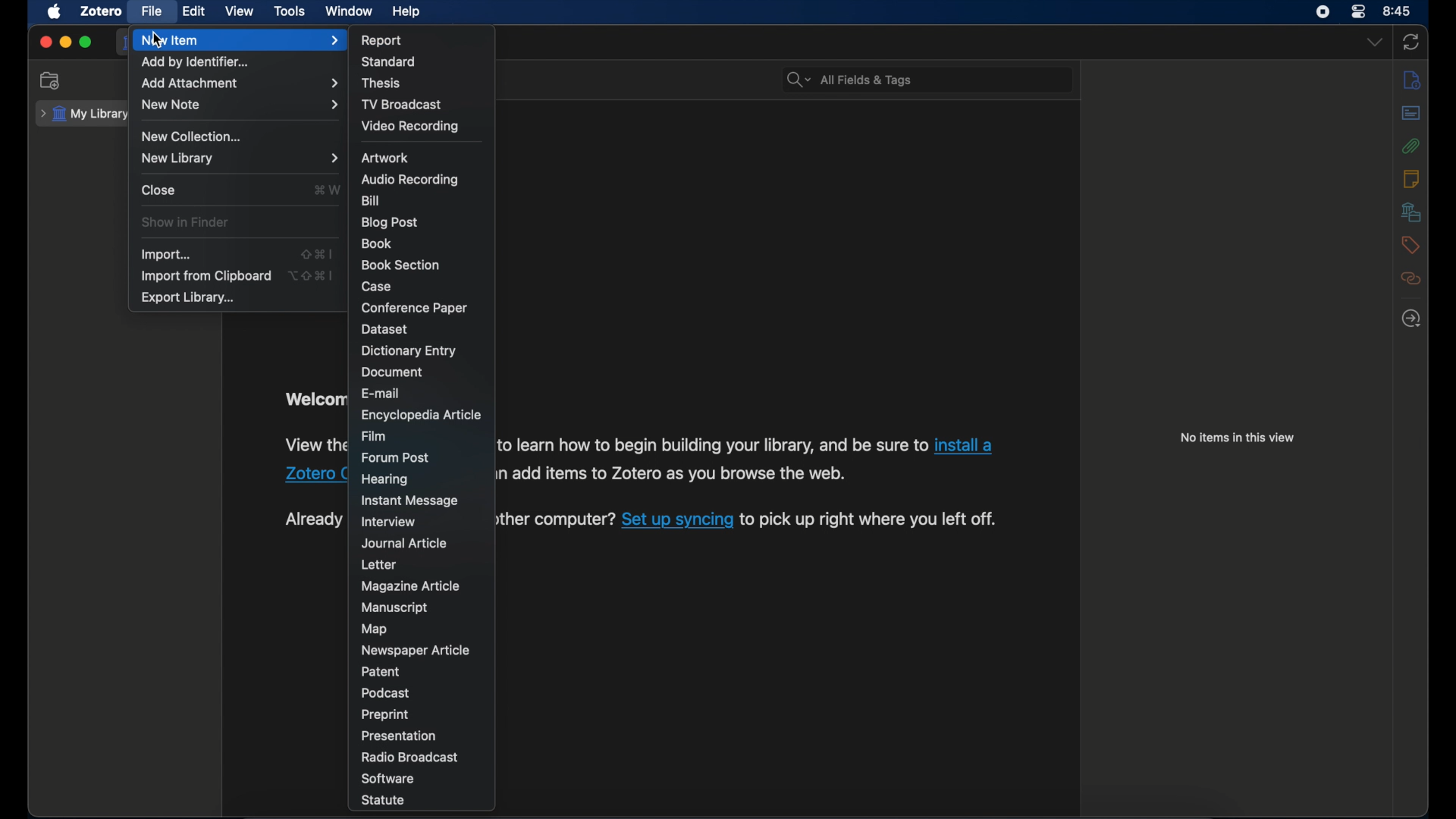 Image resolution: width=1456 pixels, height=819 pixels. What do you see at coordinates (1412, 42) in the screenshot?
I see `sync` at bounding box center [1412, 42].